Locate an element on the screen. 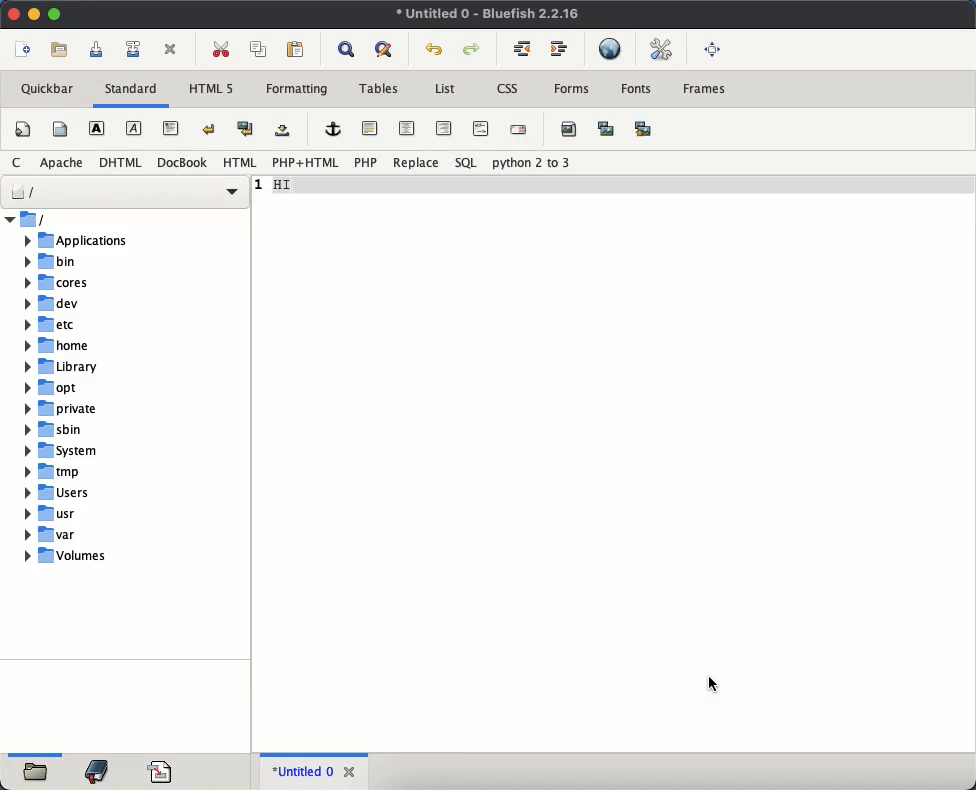 This screenshot has width=976, height=790. opt is located at coordinates (99, 388).